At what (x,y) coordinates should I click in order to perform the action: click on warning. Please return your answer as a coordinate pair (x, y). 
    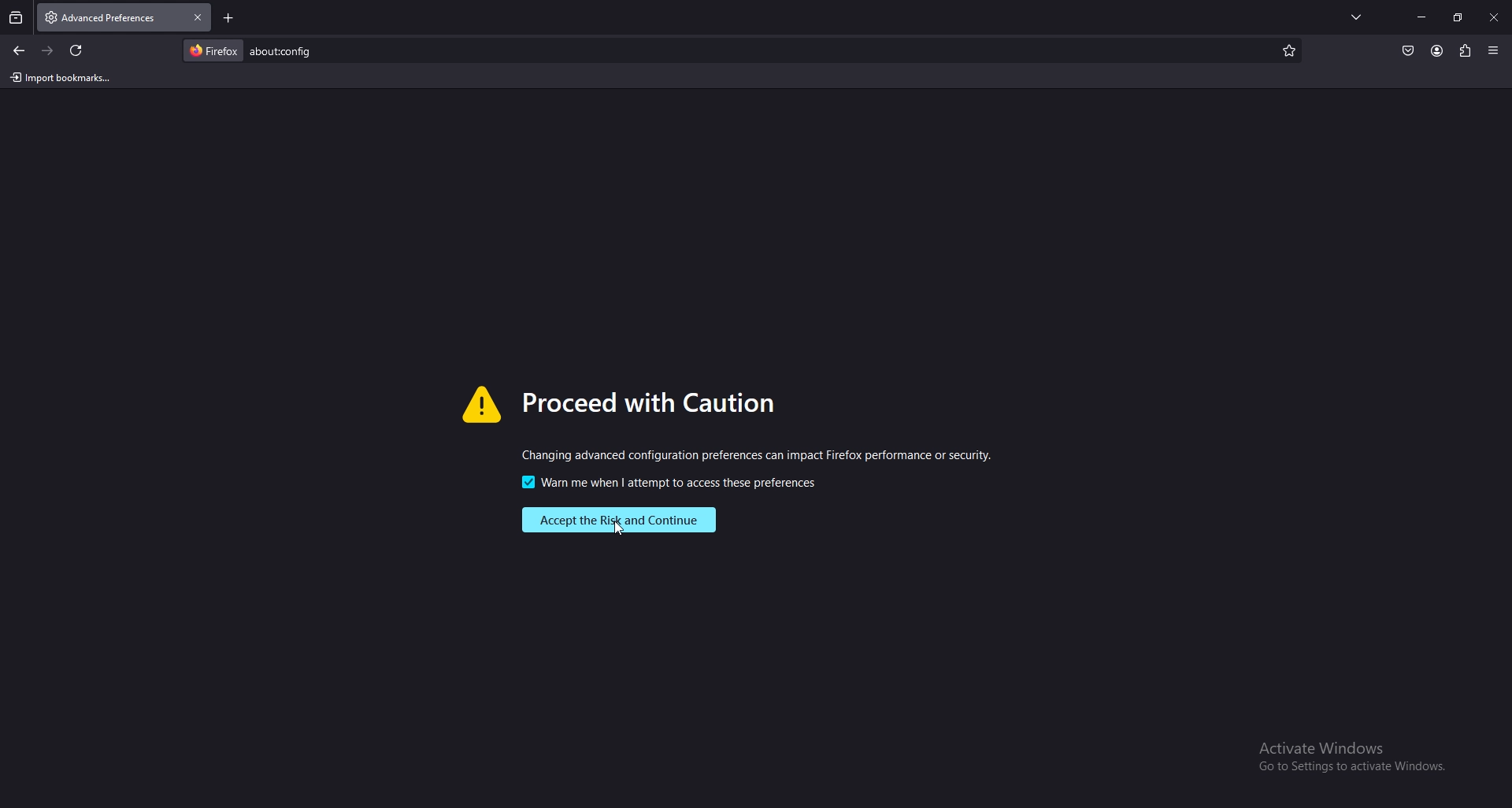
    Looking at the image, I should click on (670, 483).